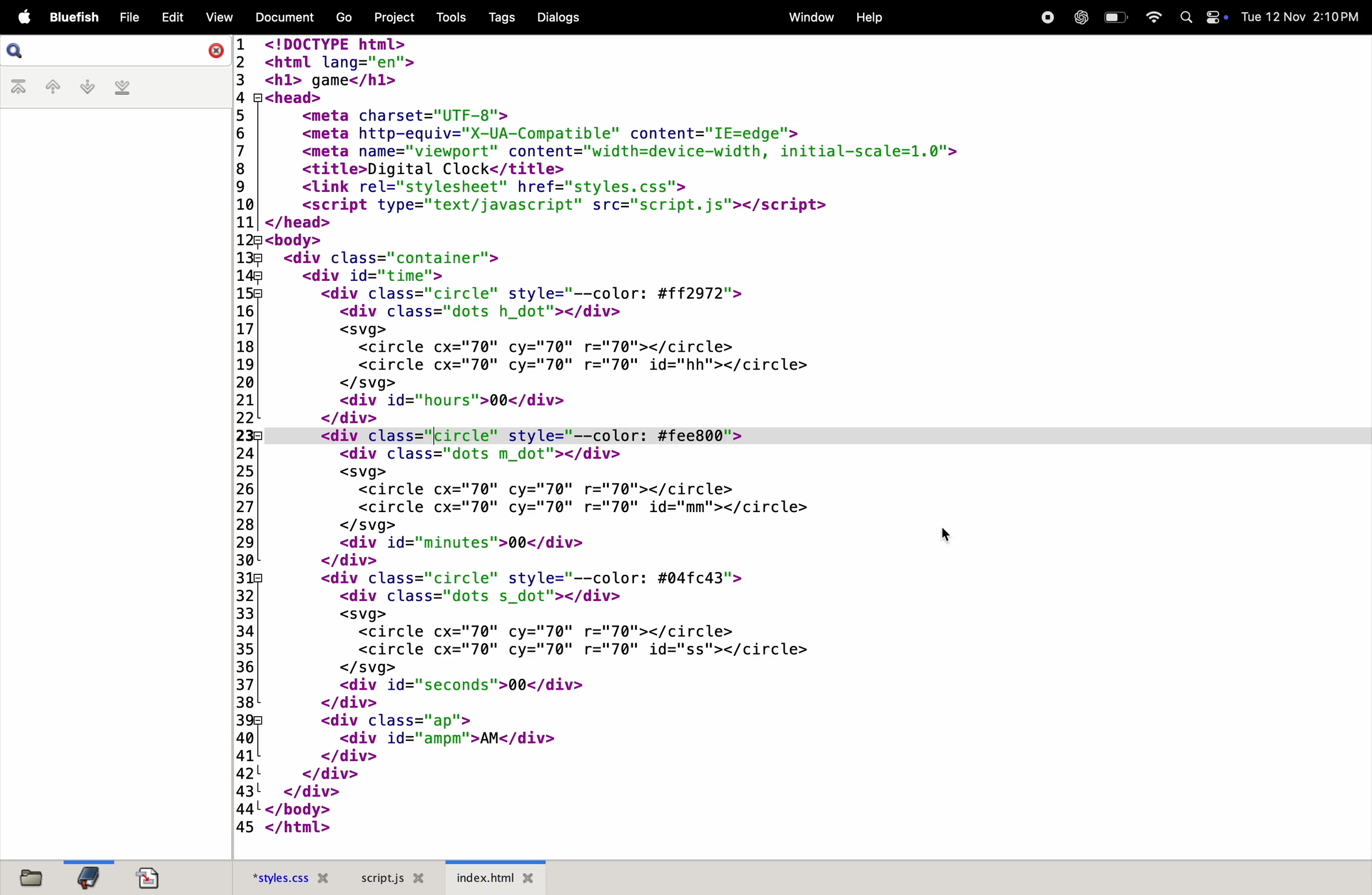 The width and height of the screenshot is (1372, 895). Describe the element at coordinates (1114, 18) in the screenshot. I see `battery` at that location.